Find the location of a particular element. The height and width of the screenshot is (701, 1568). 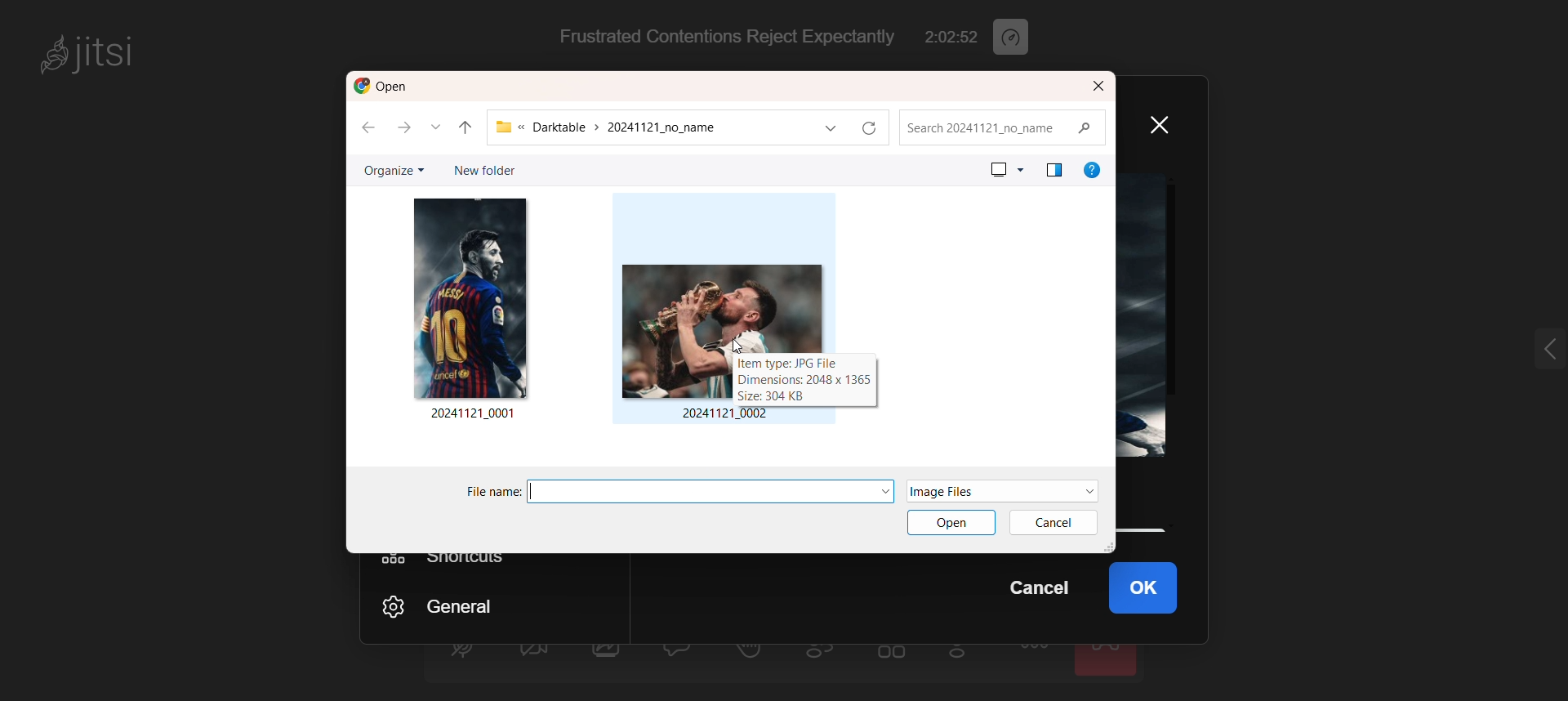

file with information is located at coordinates (724, 317).